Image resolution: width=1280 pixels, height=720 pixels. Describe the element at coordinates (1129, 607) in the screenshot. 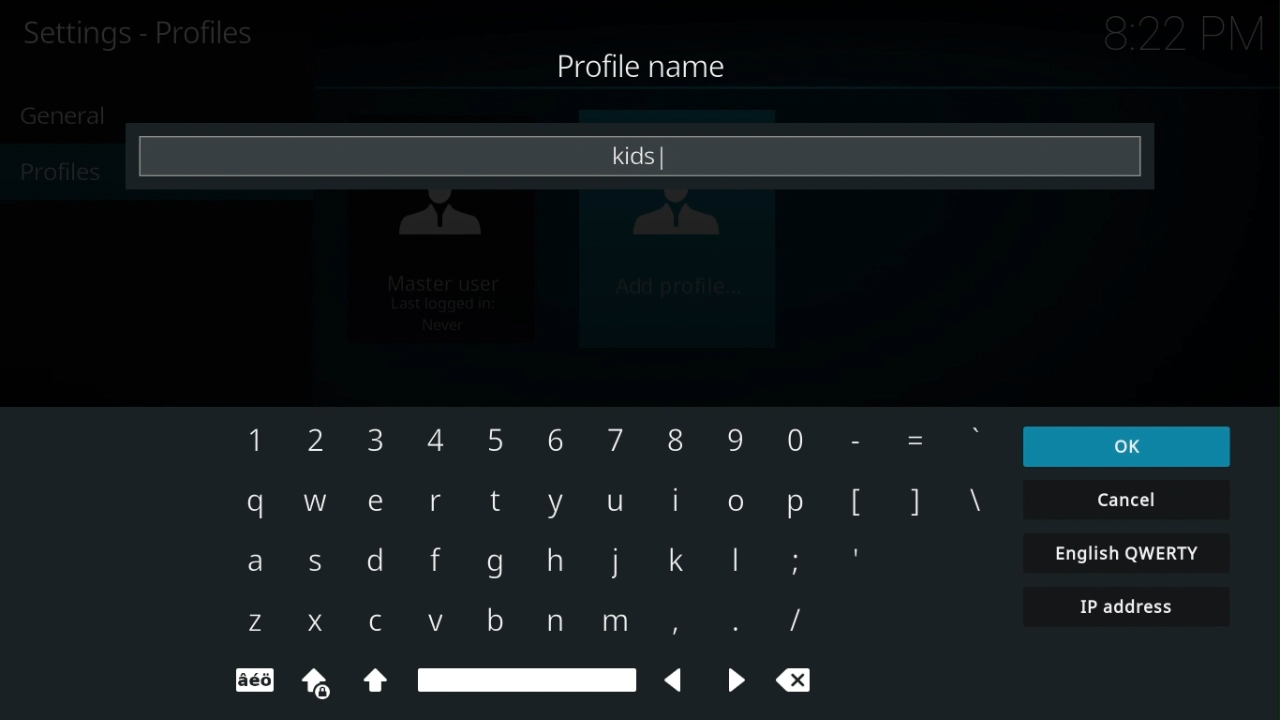

I see `IP address` at that location.